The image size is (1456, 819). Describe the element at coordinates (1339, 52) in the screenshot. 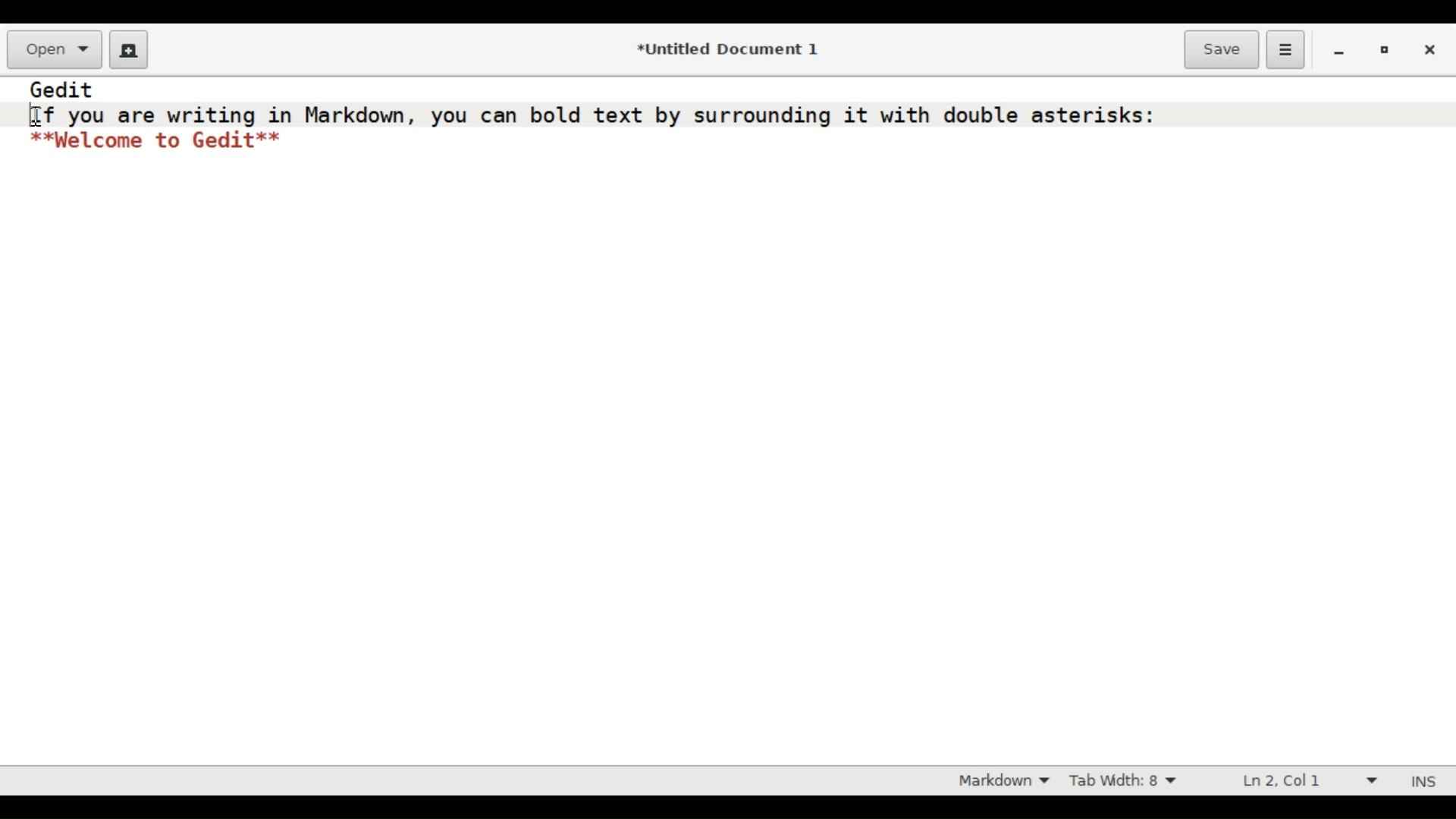

I see `minimize` at that location.